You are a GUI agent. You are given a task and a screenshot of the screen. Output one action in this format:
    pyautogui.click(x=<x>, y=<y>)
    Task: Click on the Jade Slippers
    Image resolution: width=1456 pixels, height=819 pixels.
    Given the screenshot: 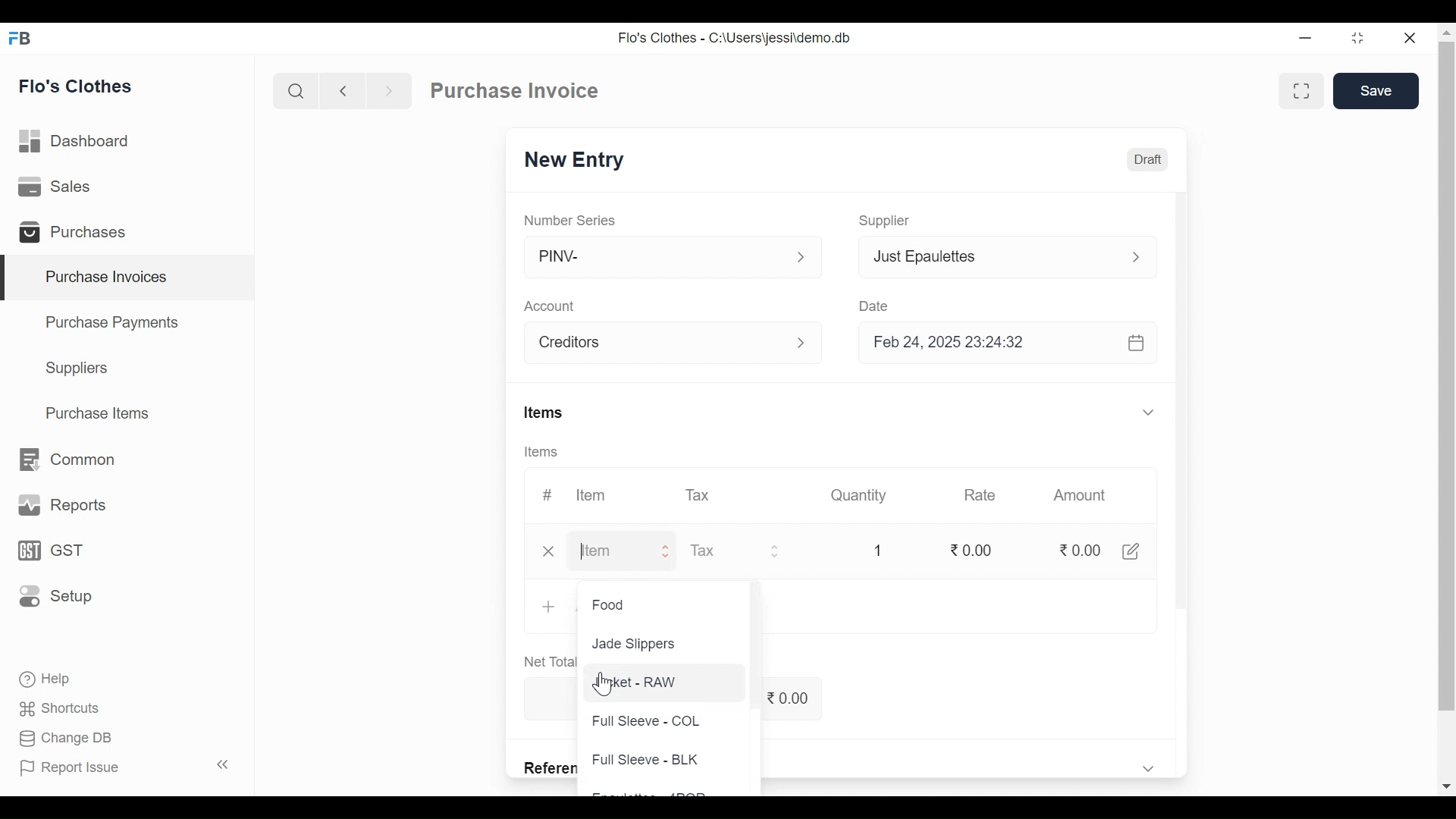 What is the action you would take?
    pyautogui.click(x=637, y=645)
    